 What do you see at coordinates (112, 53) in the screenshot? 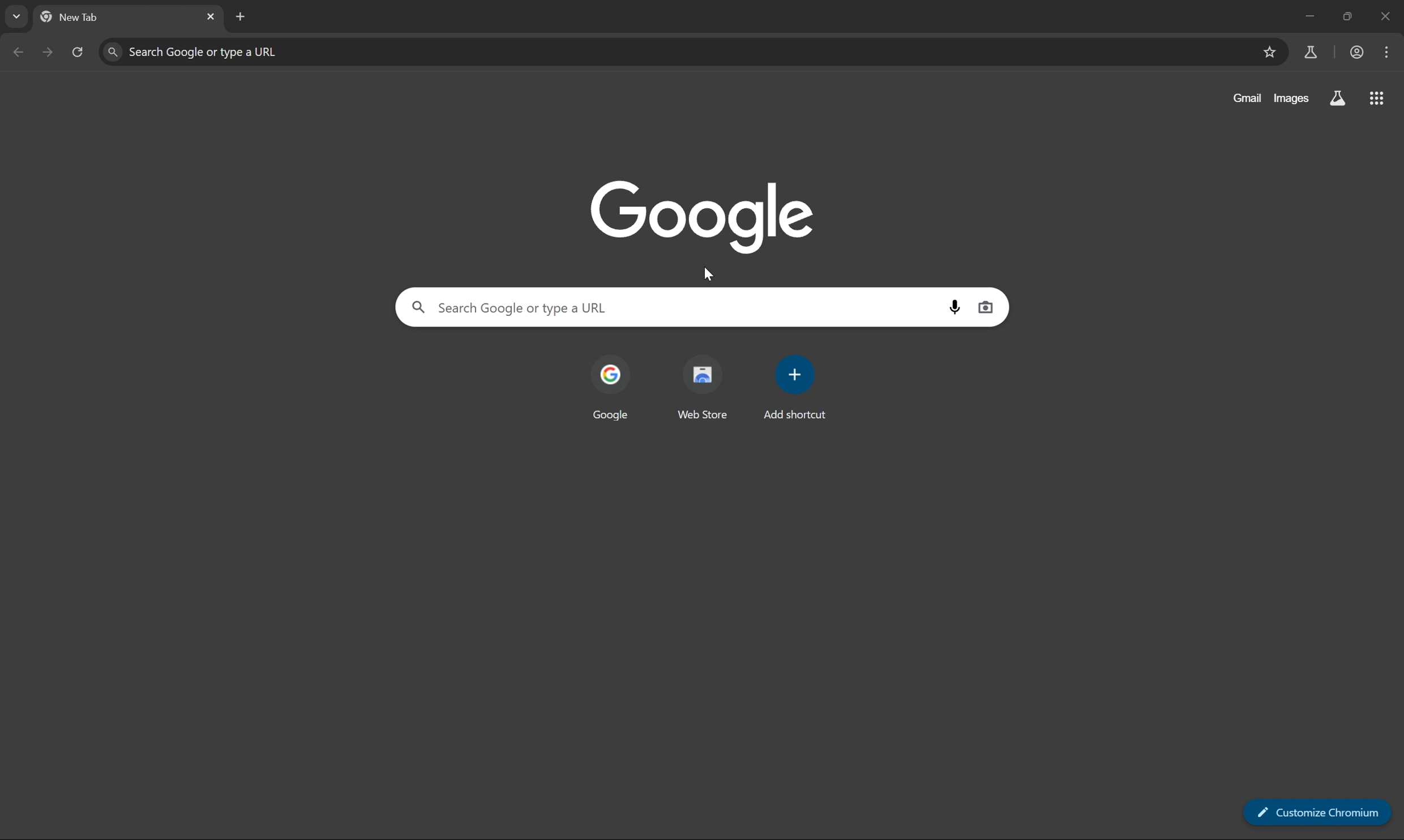
I see `find` at bounding box center [112, 53].